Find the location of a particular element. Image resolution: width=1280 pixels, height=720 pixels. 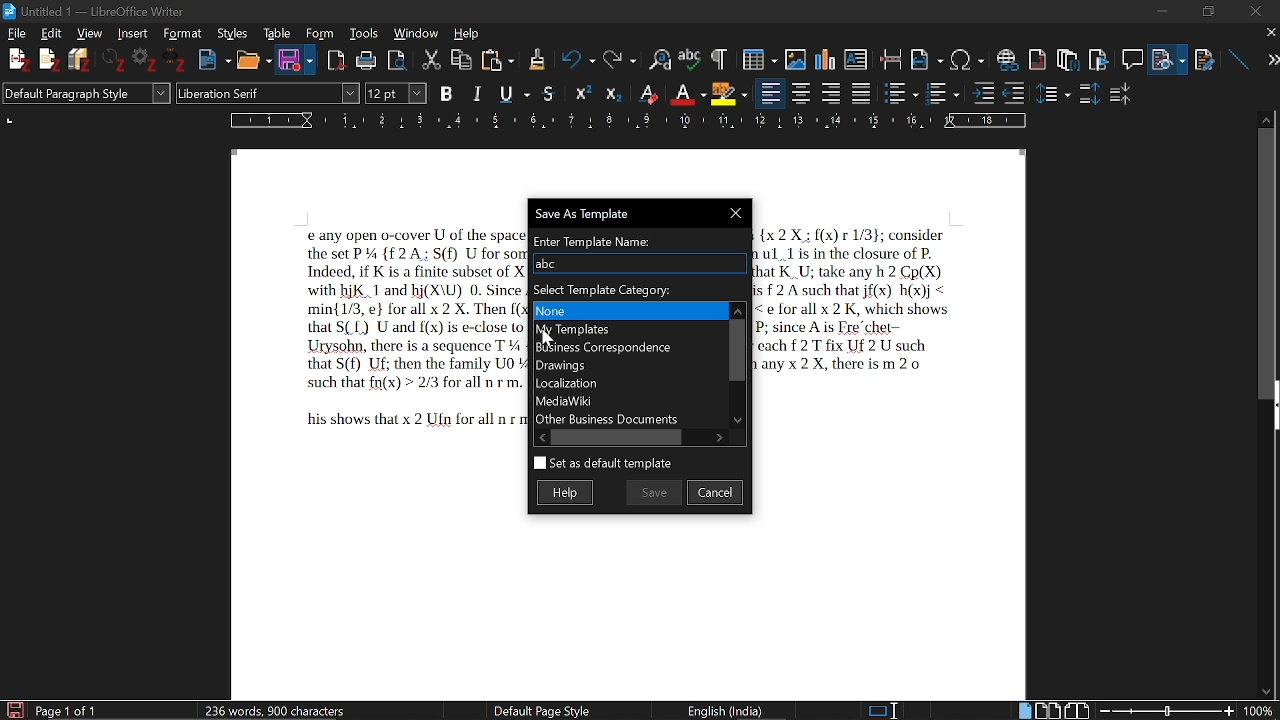

Book view is located at coordinates (1077, 709).